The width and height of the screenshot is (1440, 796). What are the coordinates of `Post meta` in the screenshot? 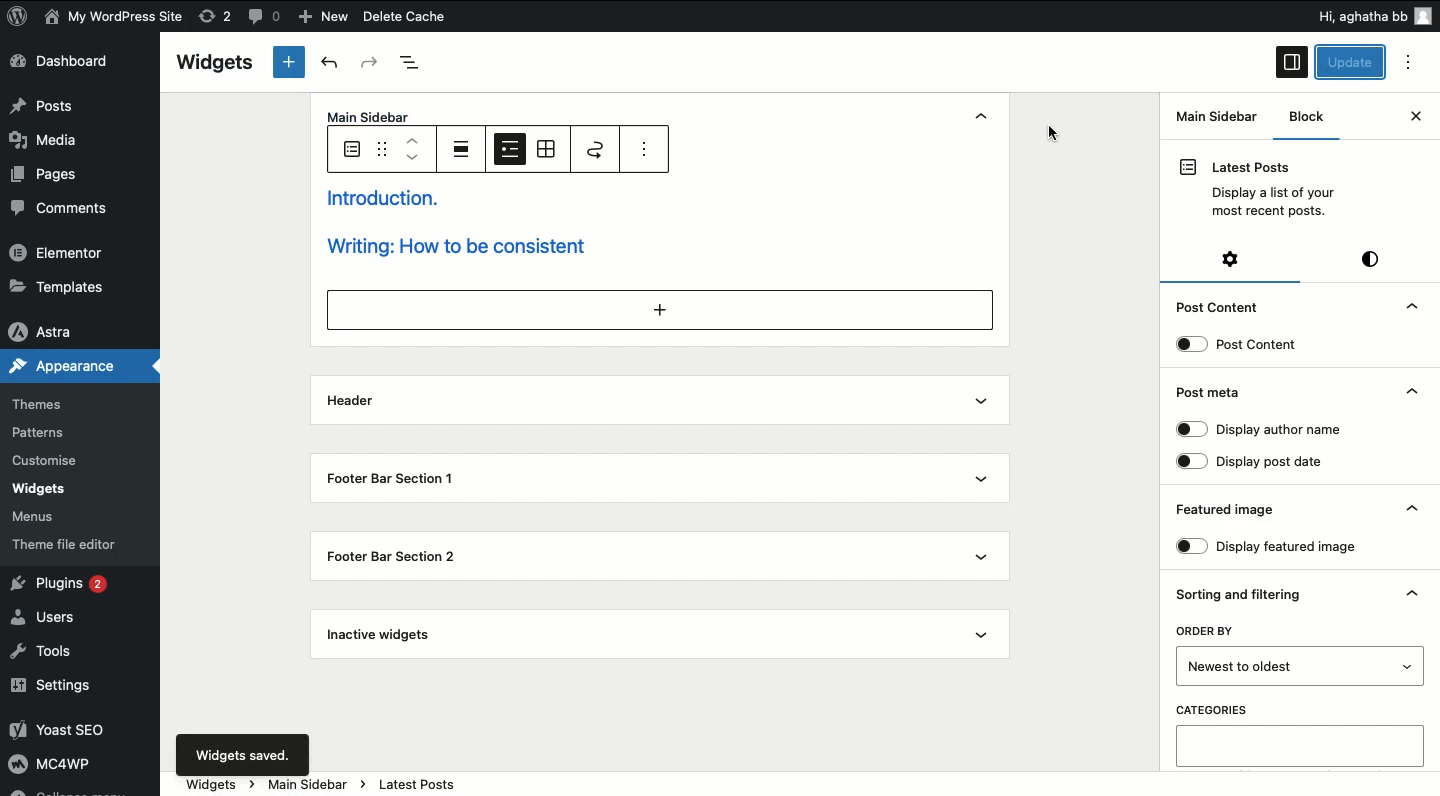 It's located at (1221, 394).